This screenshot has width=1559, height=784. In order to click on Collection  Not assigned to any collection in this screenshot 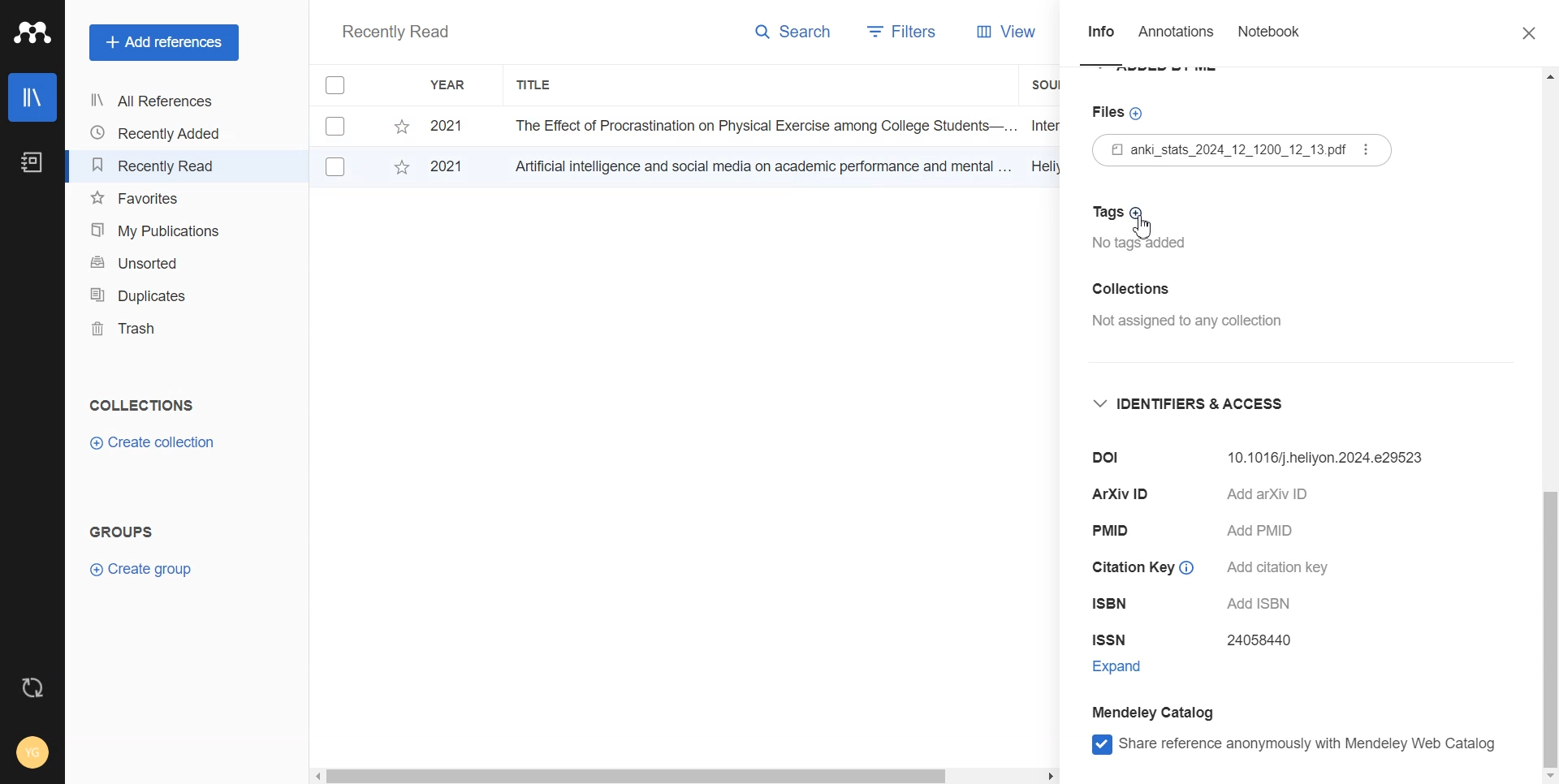, I will do `click(1178, 310)`.